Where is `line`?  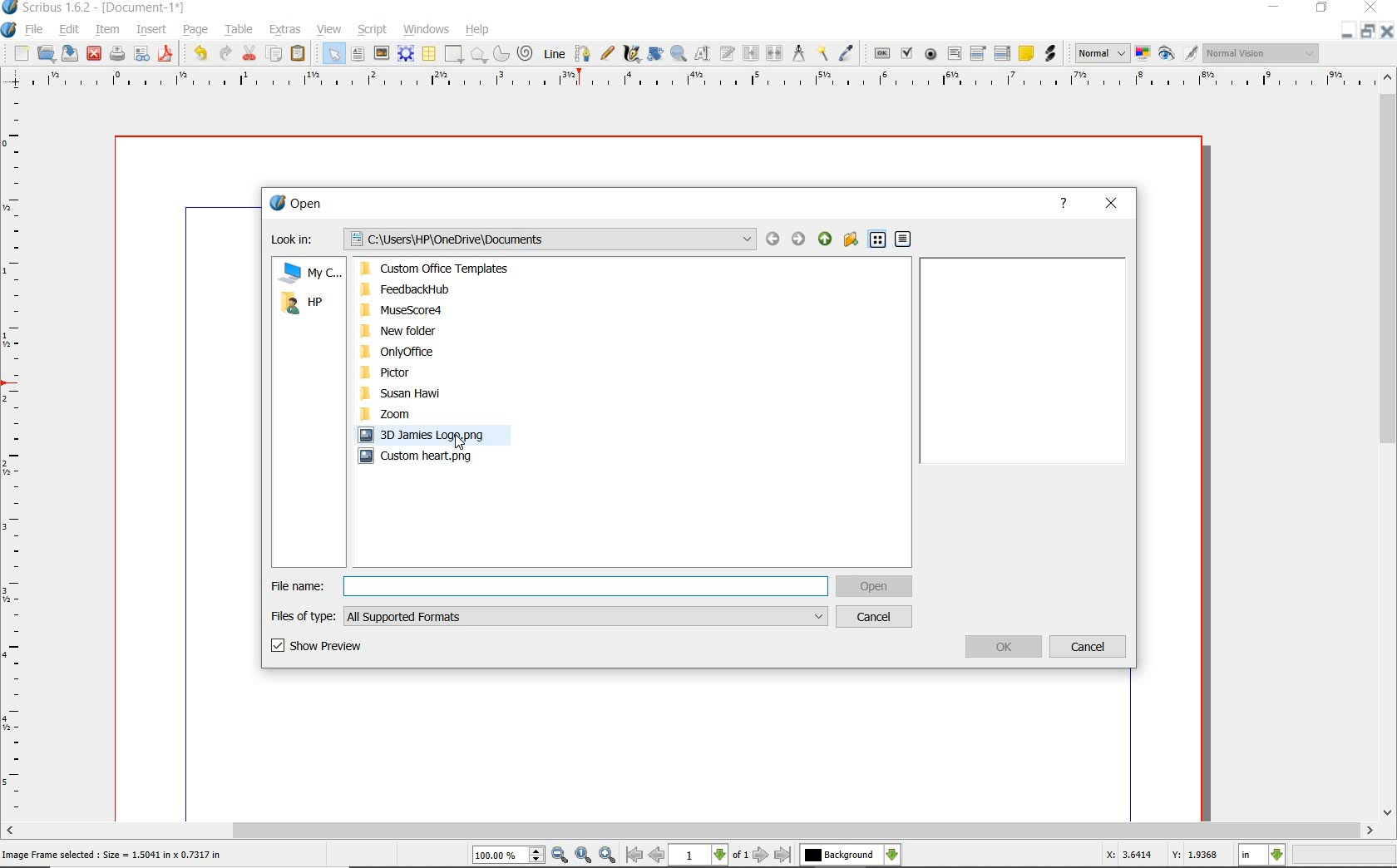 line is located at coordinates (555, 52).